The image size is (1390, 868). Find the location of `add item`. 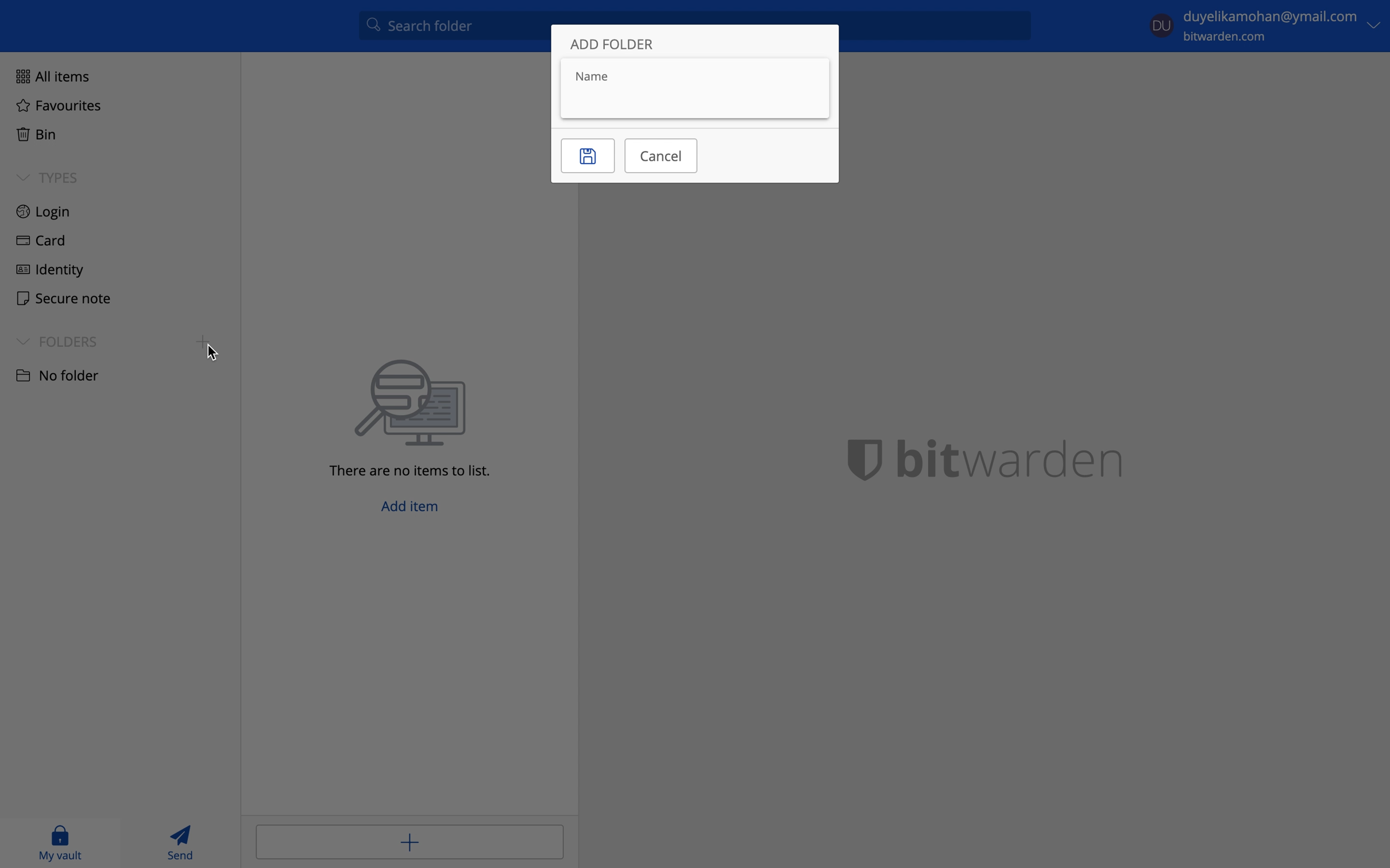

add item is located at coordinates (413, 510).